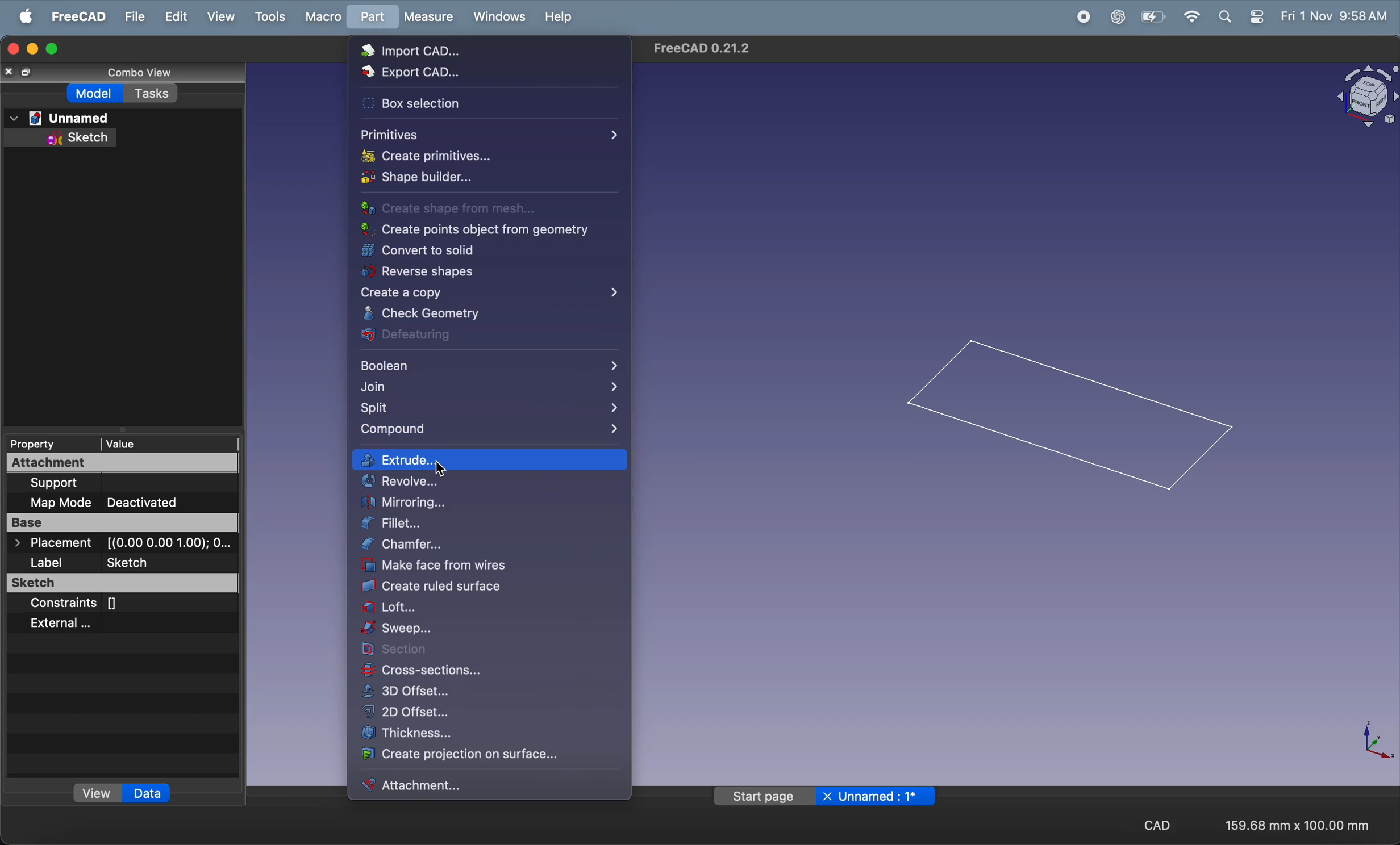 The height and width of the screenshot is (845, 1400). What do you see at coordinates (479, 567) in the screenshot?
I see `make face from wired` at bounding box center [479, 567].